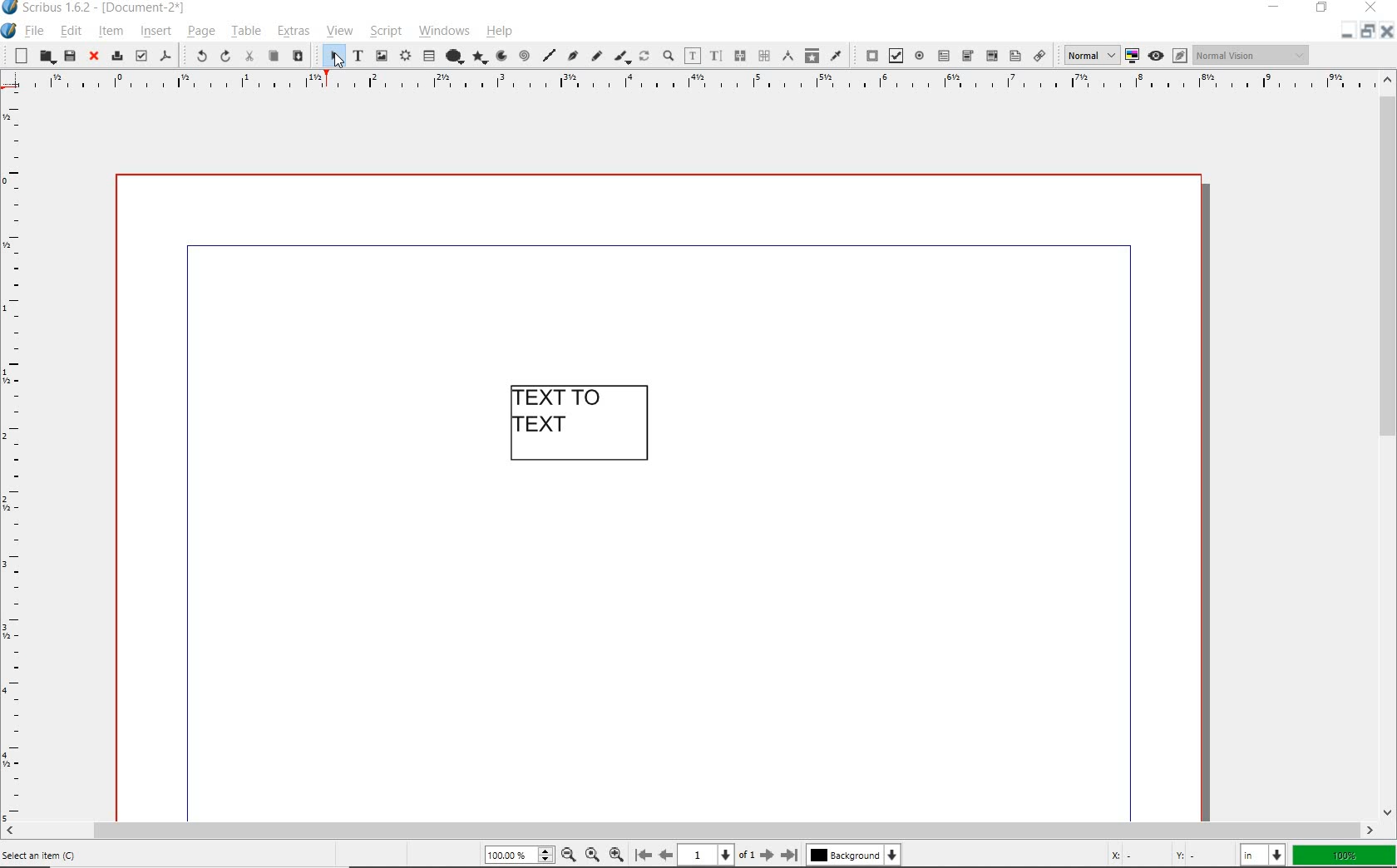 This screenshot has height=868, width=1397. I want to click on close, so click(94, 57).